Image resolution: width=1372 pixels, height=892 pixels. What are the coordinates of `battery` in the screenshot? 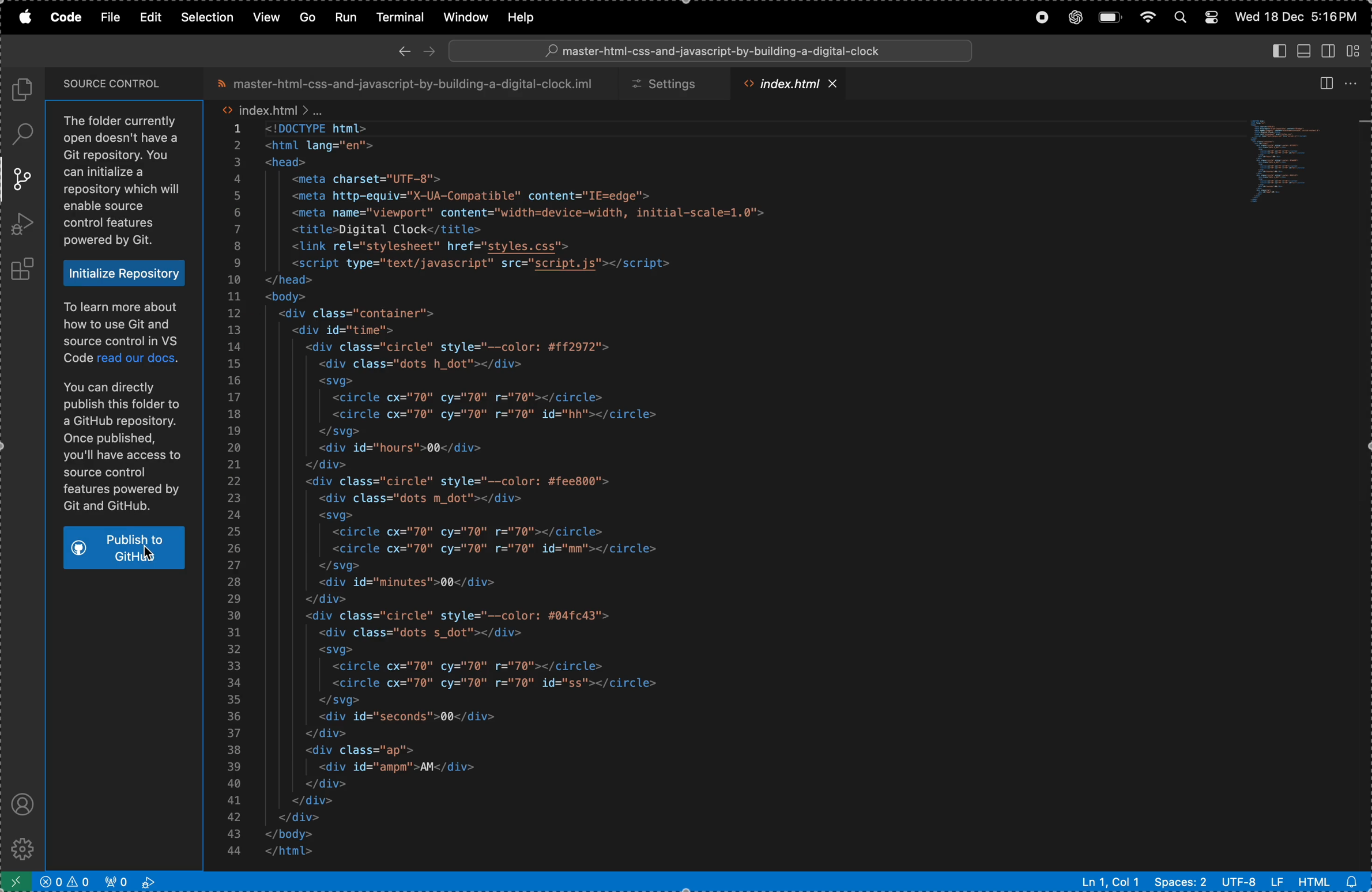 It's located at (1109, 18).